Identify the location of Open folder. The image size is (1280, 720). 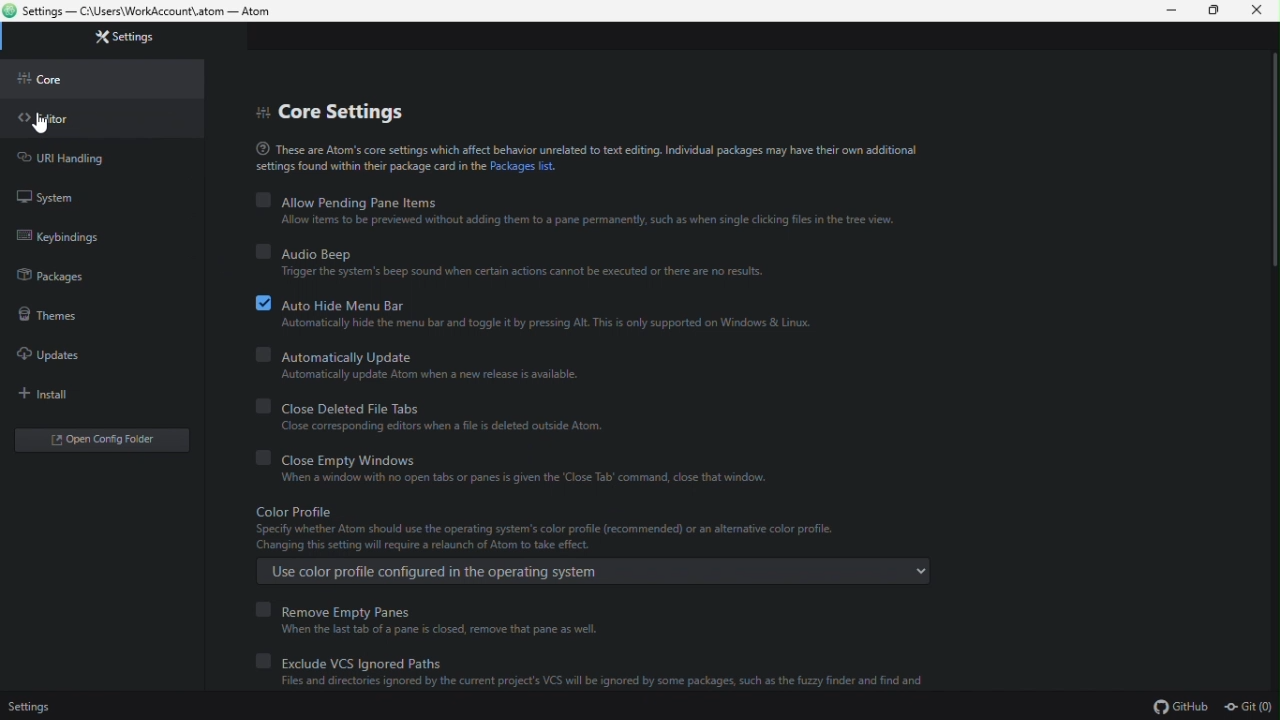
(117, 440).